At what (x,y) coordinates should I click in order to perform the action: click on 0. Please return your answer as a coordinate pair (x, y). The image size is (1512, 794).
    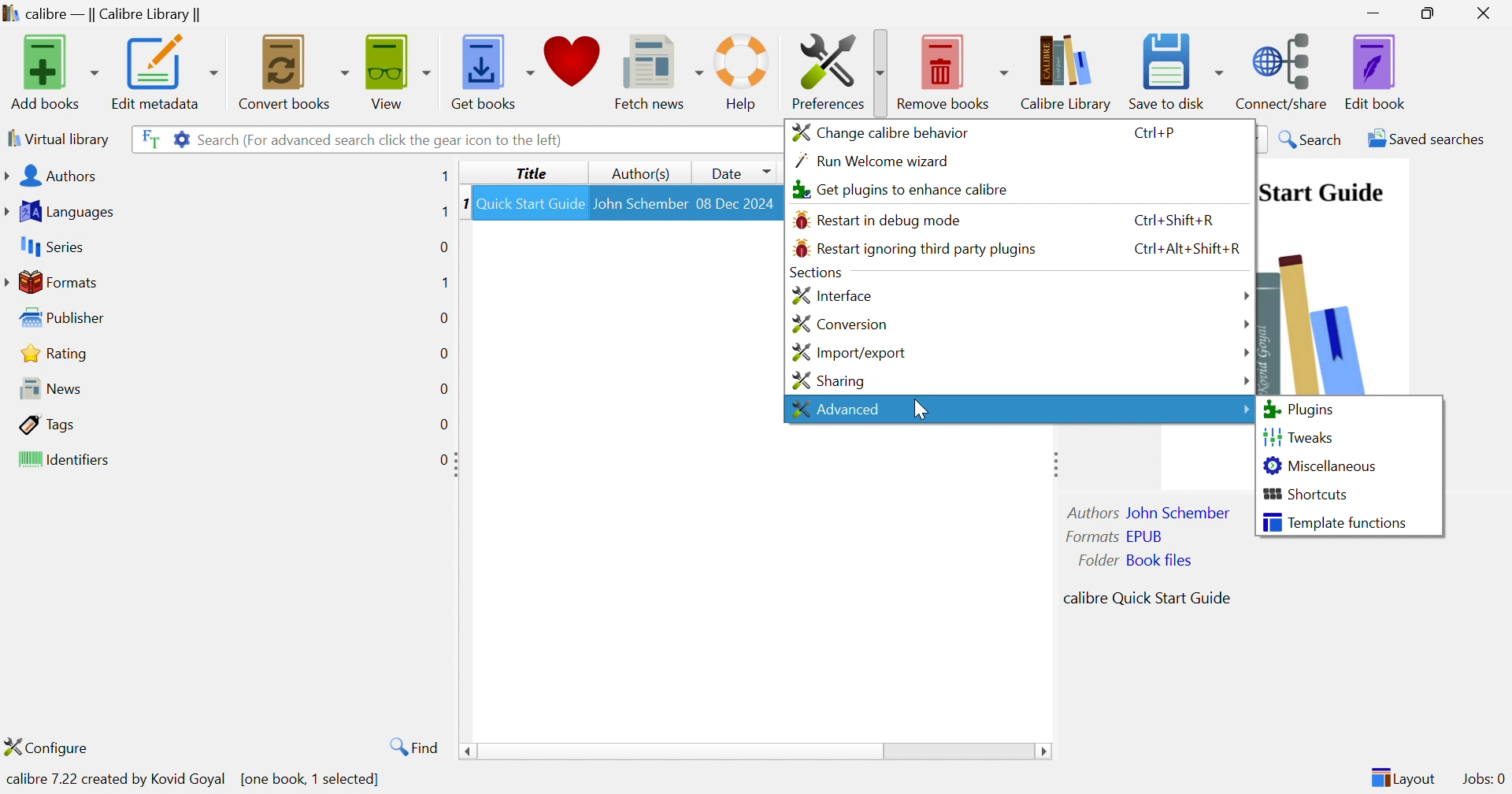
    Looking at the image, I should click on (443, 317).